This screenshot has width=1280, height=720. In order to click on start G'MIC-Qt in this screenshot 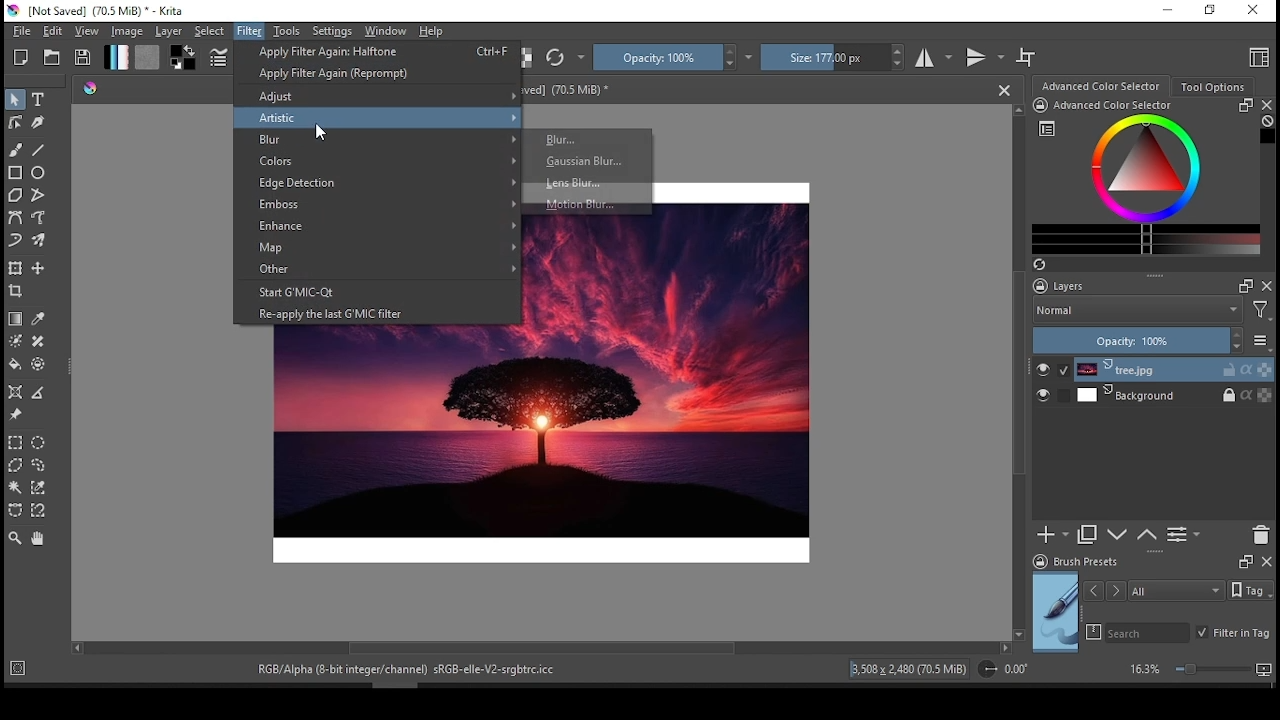, I will do `click(377, 290)`.